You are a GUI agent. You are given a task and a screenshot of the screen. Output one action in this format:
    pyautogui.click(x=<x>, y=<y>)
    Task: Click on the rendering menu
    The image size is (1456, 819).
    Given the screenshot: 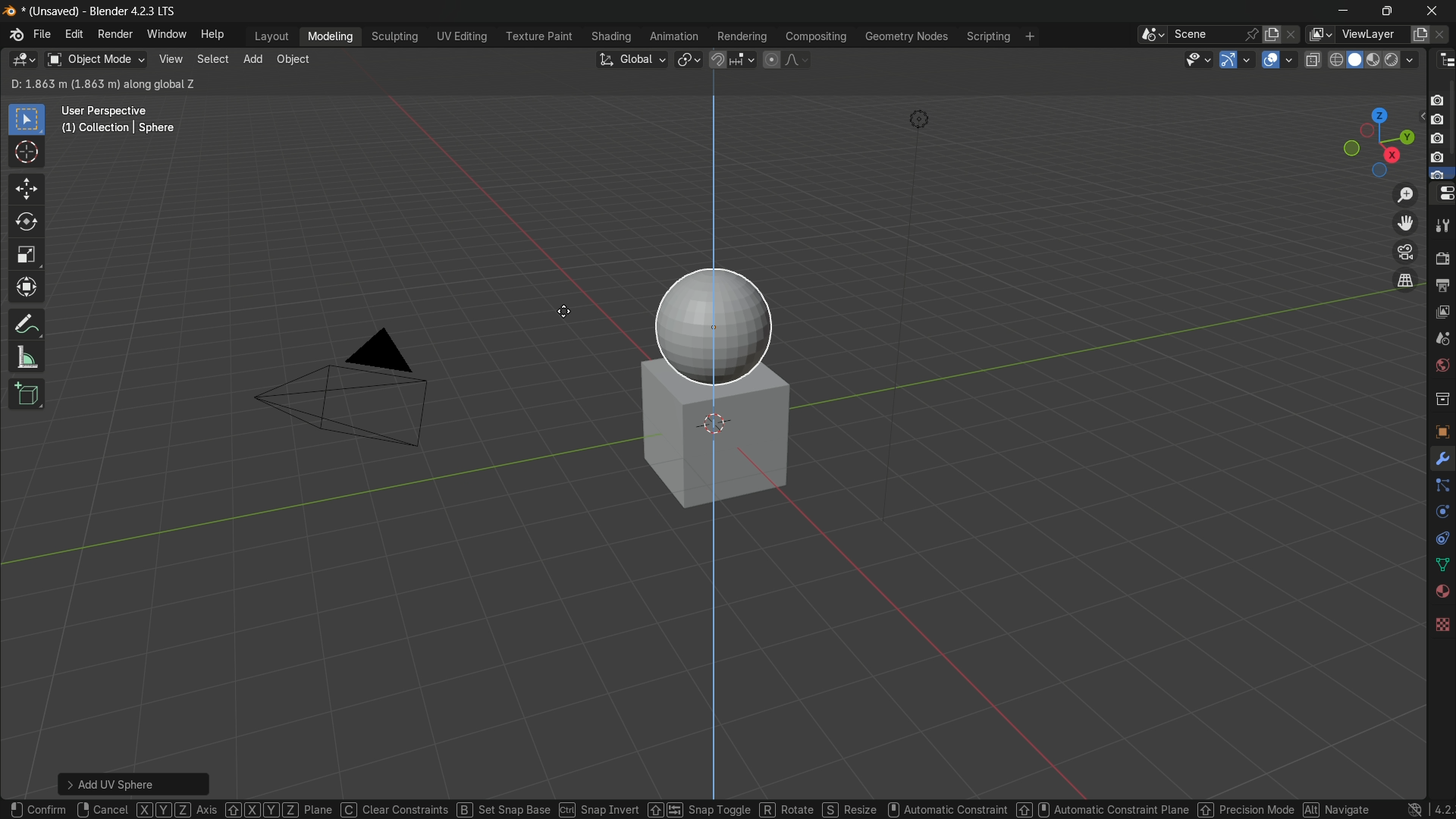 What is the action you would take?
    pyautogui.click(x=742, y=36)
    